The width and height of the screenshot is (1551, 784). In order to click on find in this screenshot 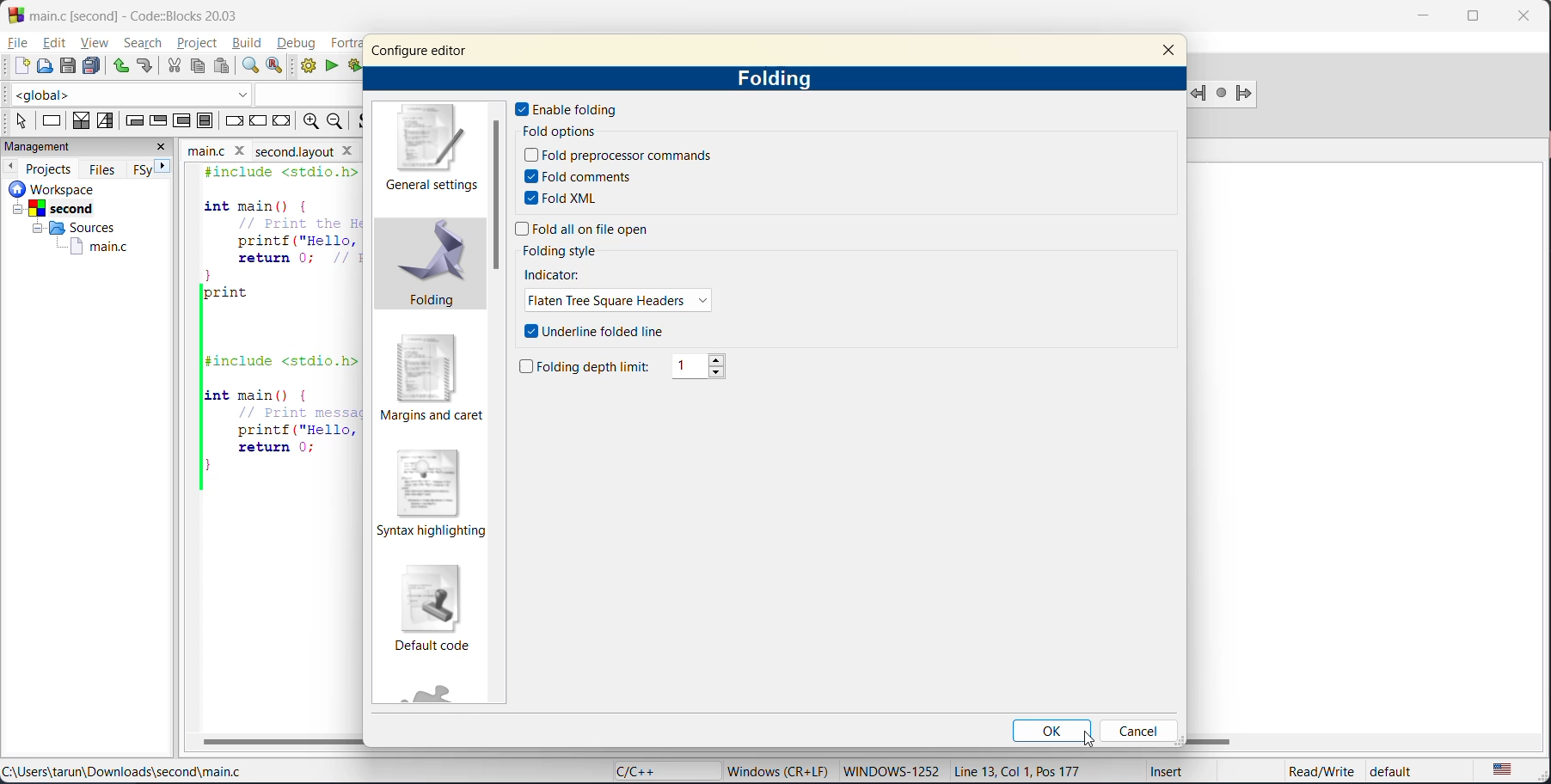, I will do `click(251, 66)`.